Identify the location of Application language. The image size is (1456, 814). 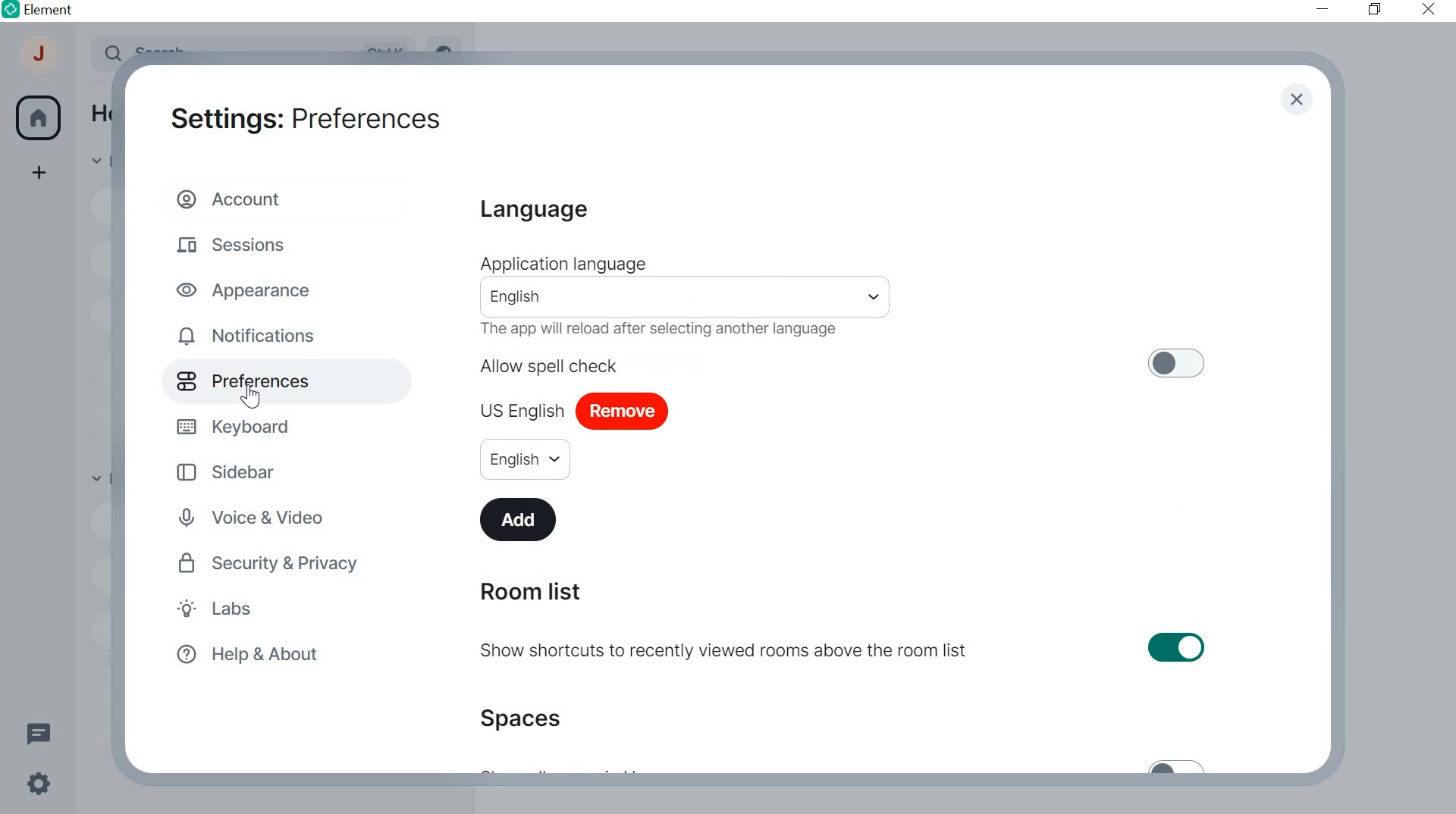
(562, 264).